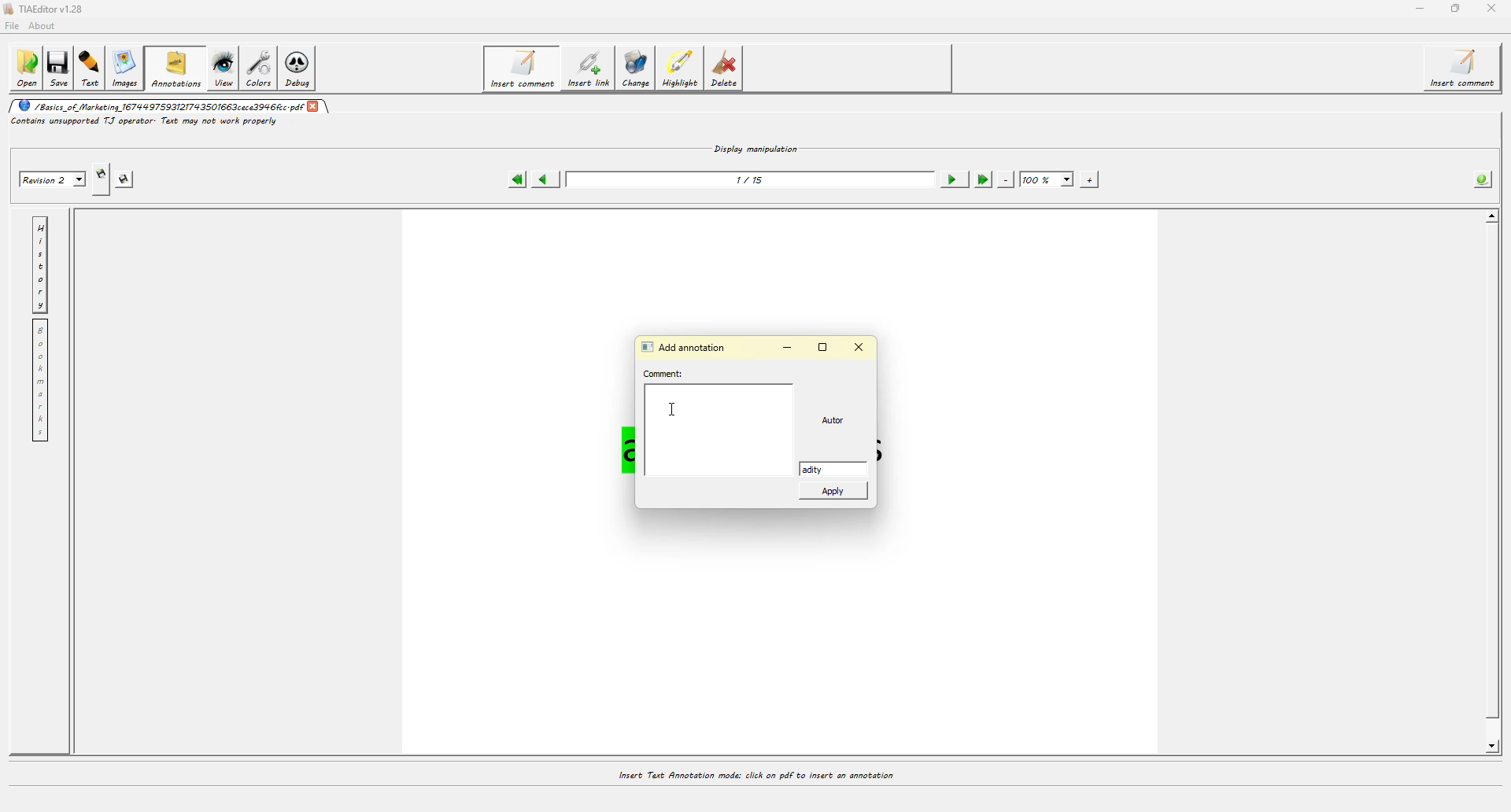 The width and height of the screenshot is (1511, 812). I want to click on file, so click(14, 24).